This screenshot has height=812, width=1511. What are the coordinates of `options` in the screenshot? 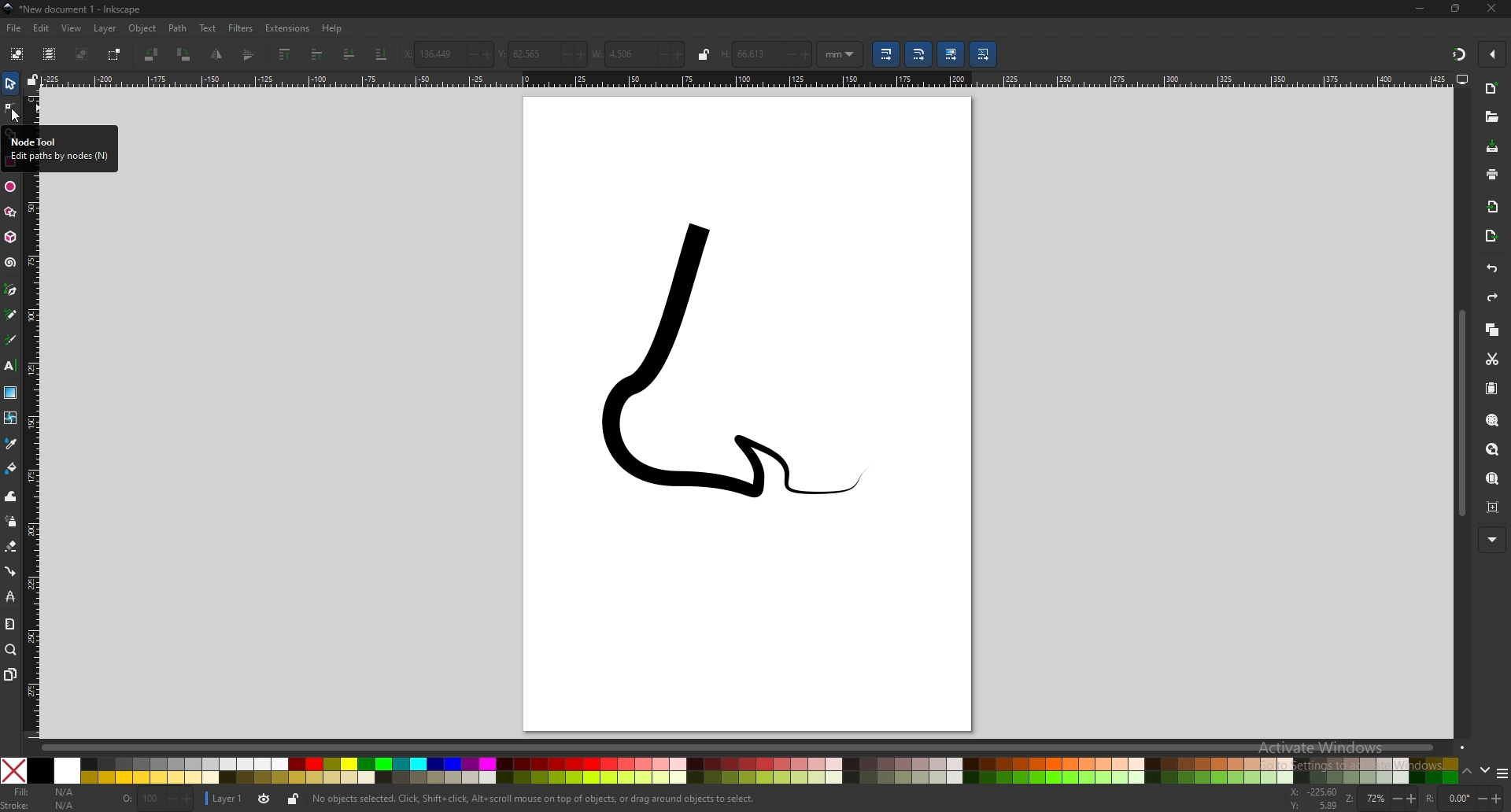 It's located at (1502, 775).